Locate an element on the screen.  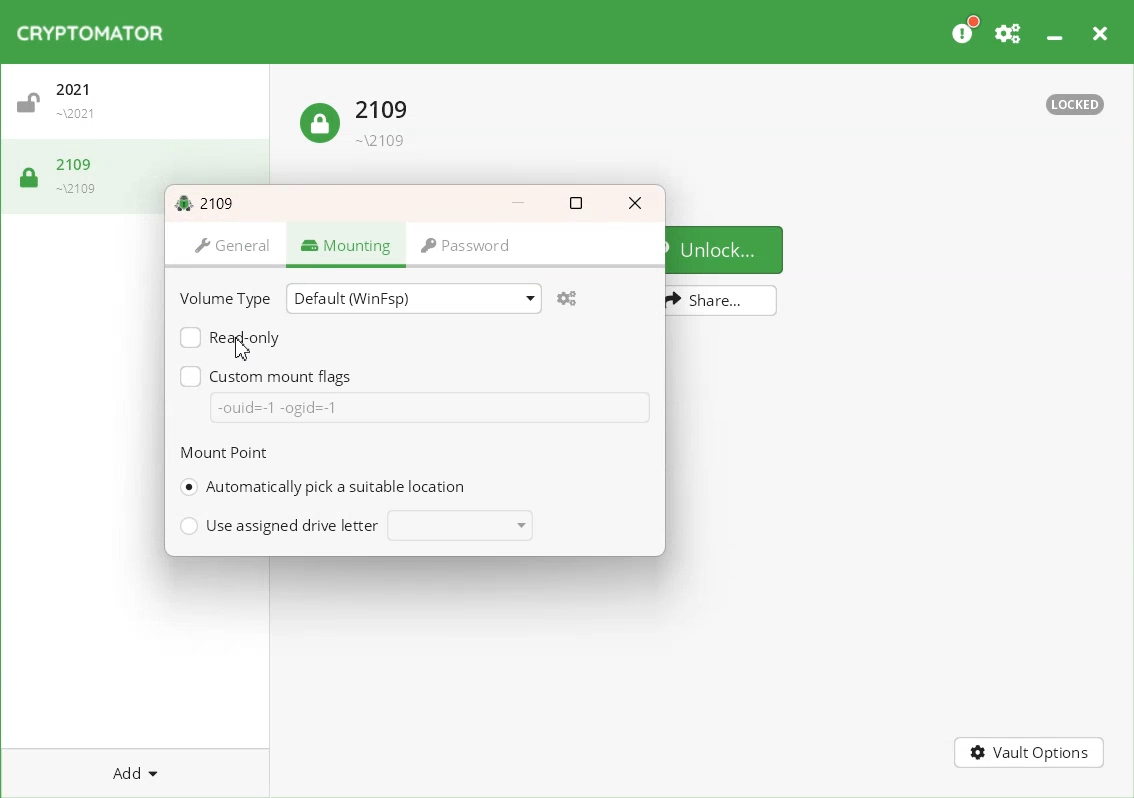
Add is located at coordinates (136, 773).